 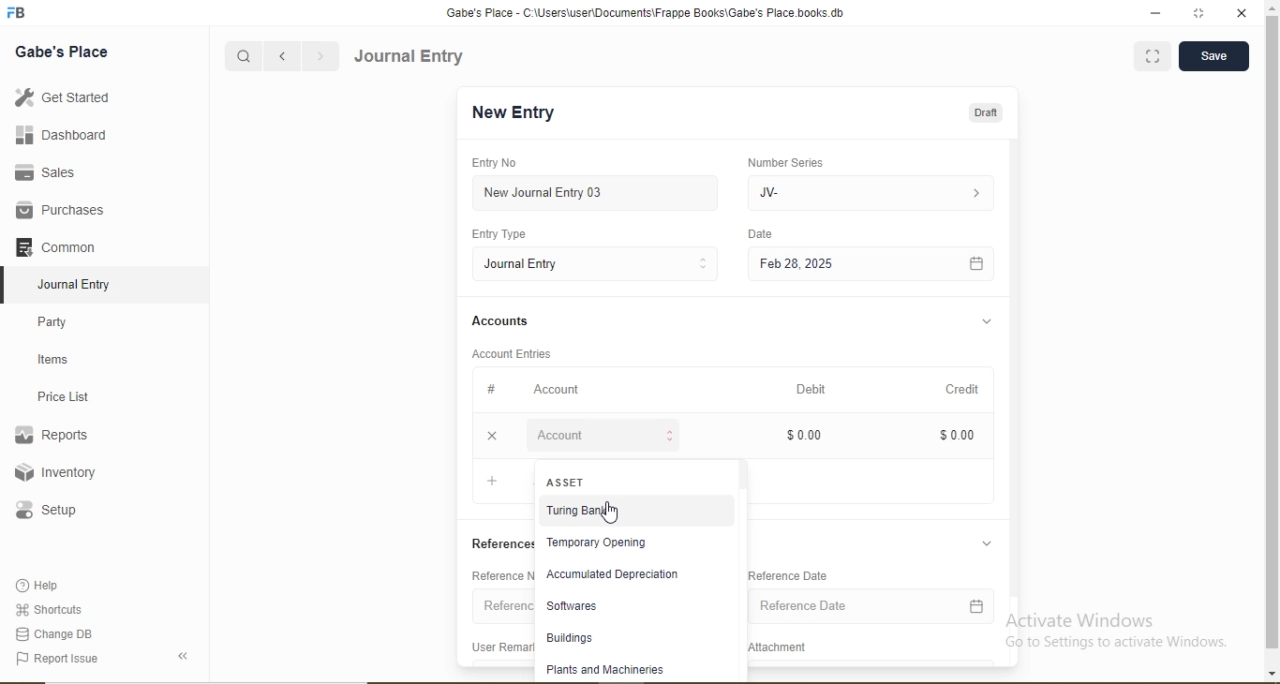 I want to click on Gabe's Place, so click(x=62, y=52).